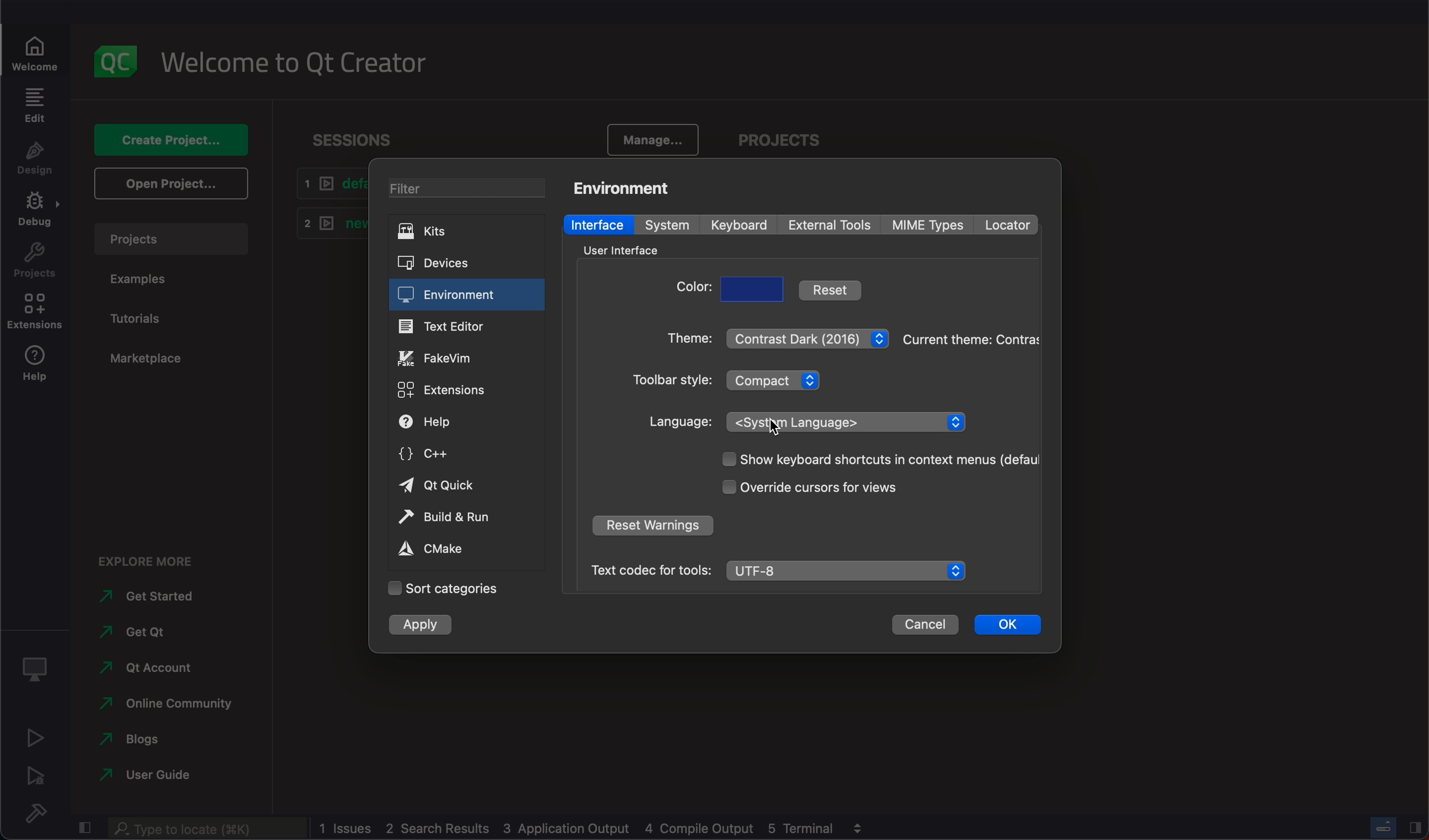  Describe the element at coordinates (673, 380) in the screenshot. I see `style` at that location.